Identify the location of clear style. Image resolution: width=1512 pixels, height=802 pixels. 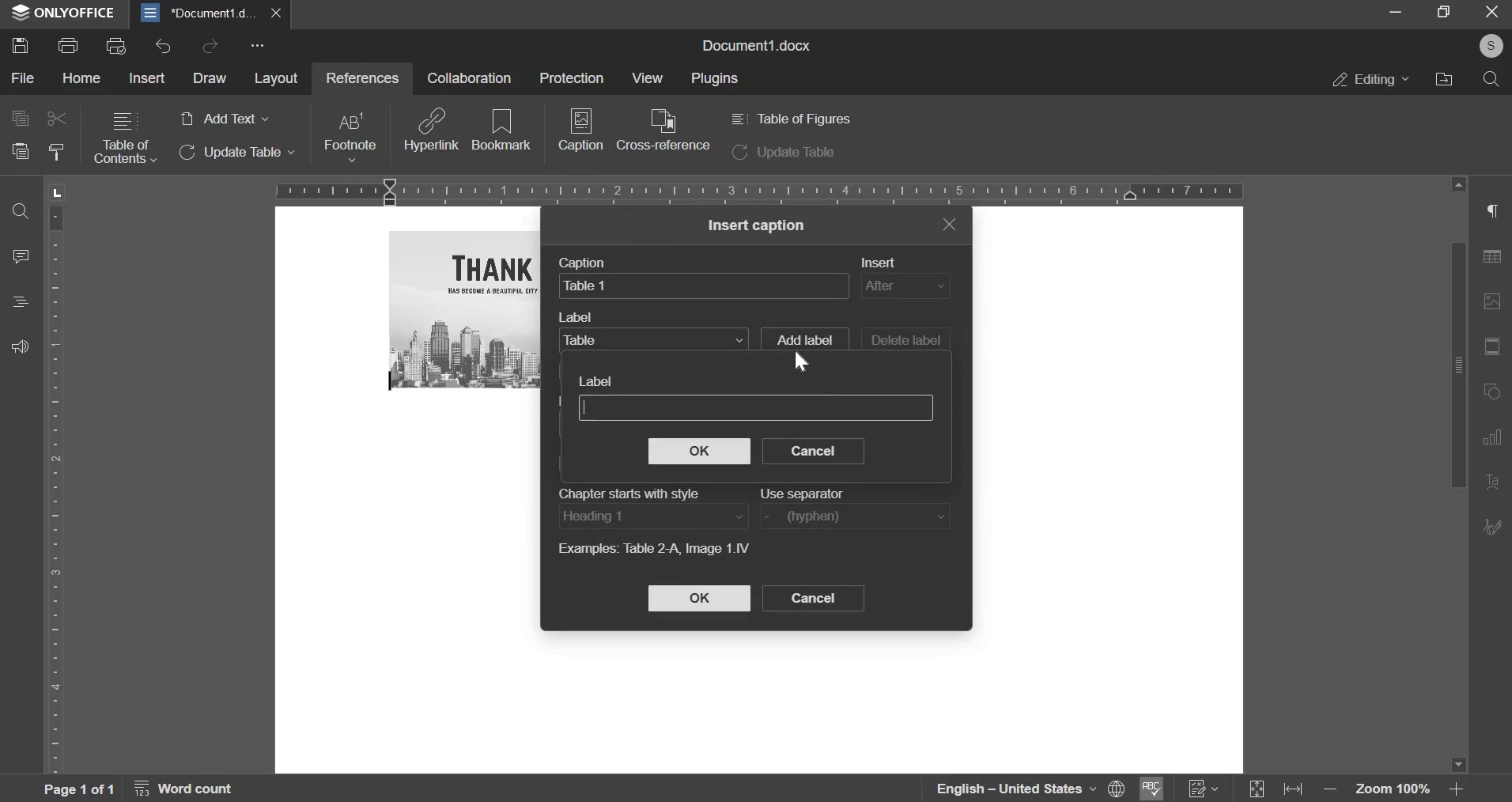
(56, 153).